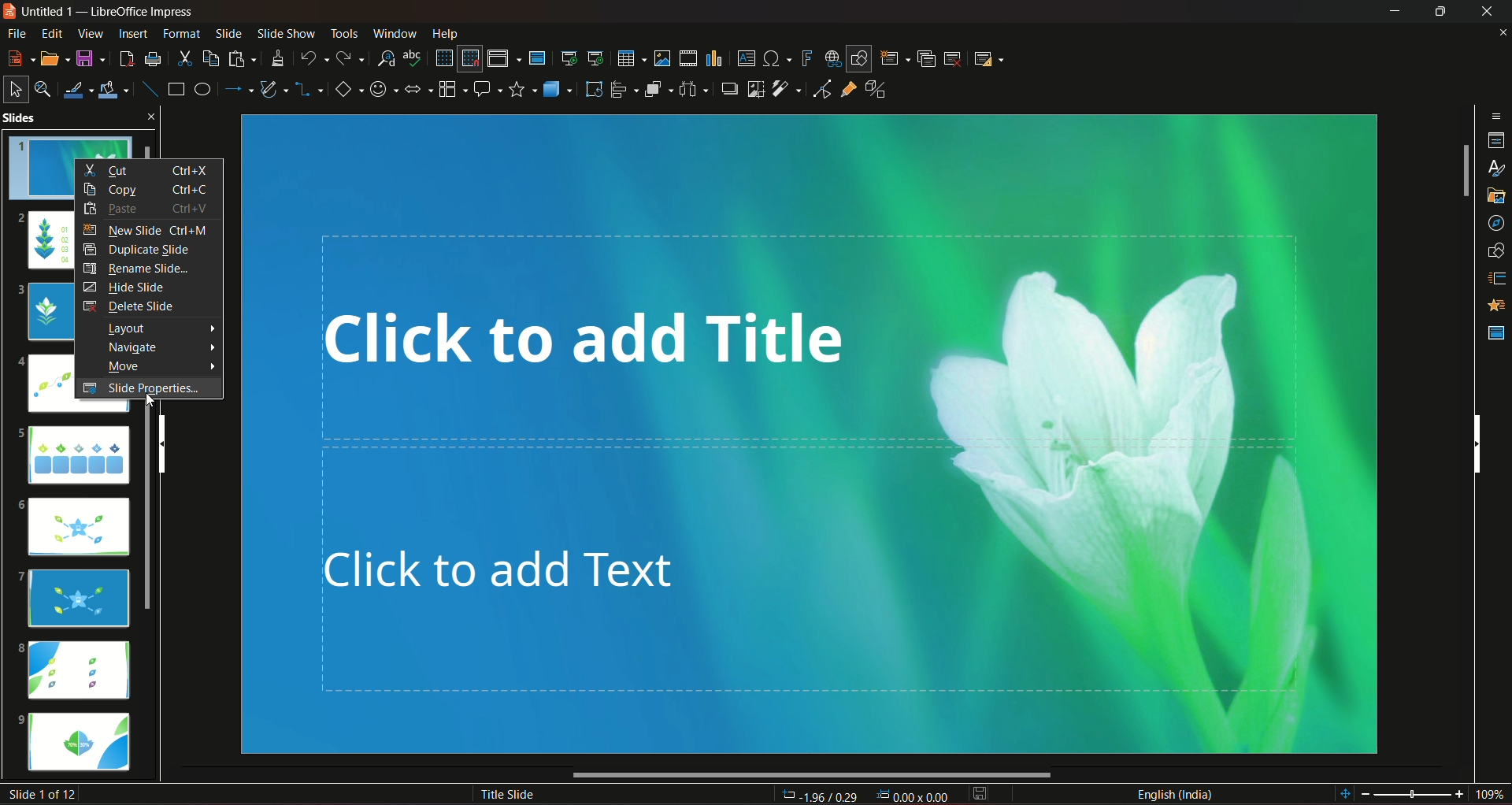 This screenshot has width=1512, height=805. Describe the element at coordinates (228, 33) in the screenshot. I see `slide` at that location.